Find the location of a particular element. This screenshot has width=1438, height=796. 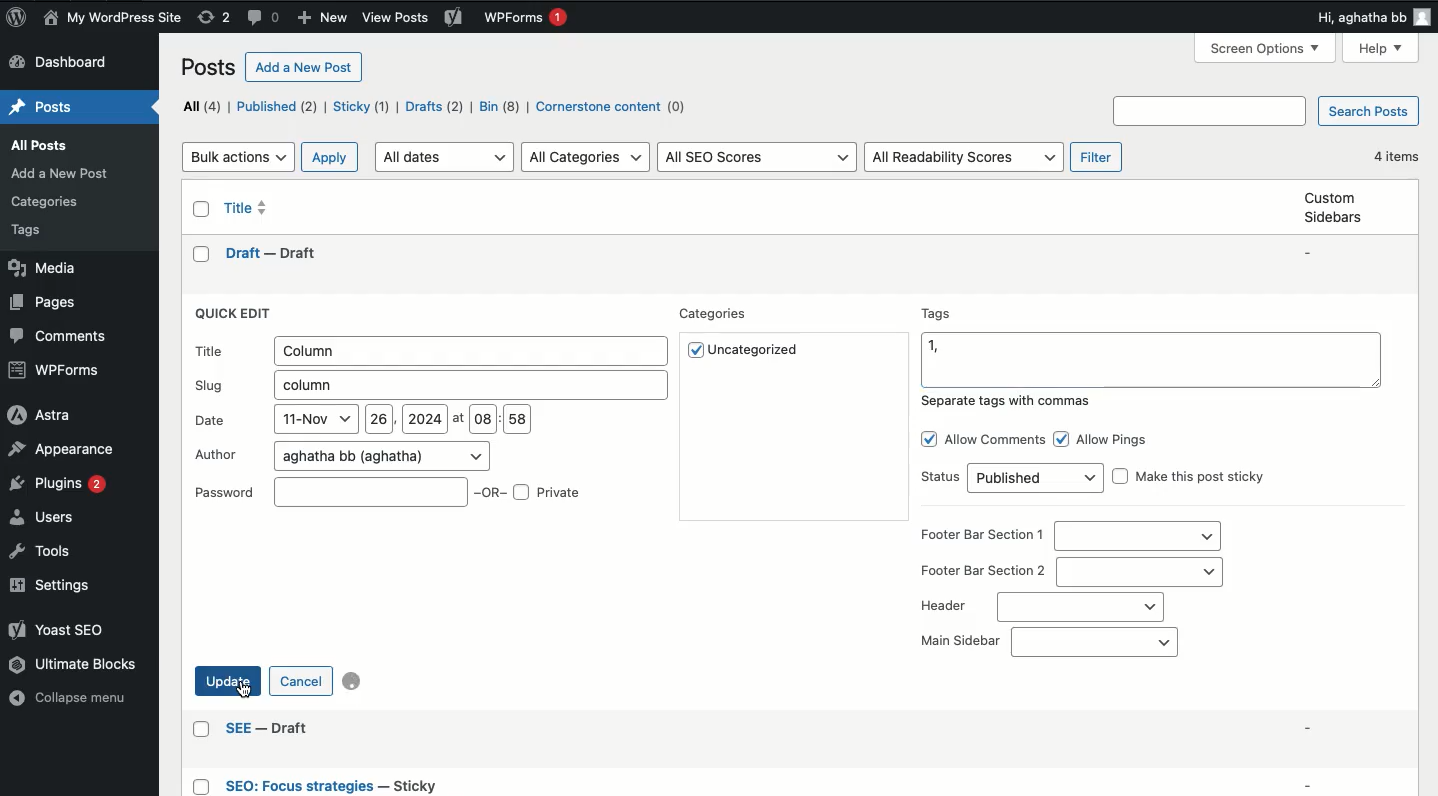

Search posts is located at coordinates (1367, 112).